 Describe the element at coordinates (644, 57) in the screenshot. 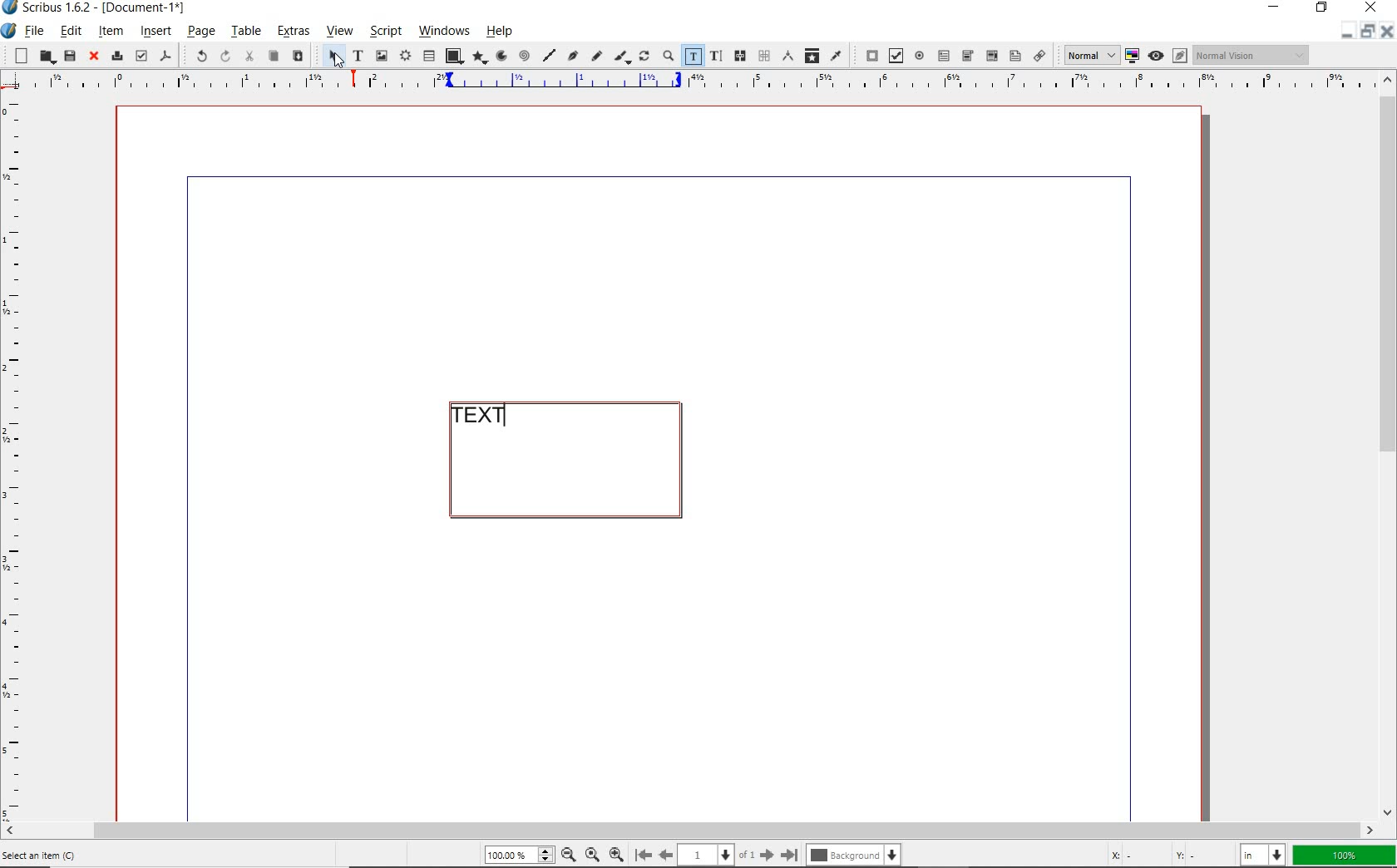

I see `rotate item` at that location.